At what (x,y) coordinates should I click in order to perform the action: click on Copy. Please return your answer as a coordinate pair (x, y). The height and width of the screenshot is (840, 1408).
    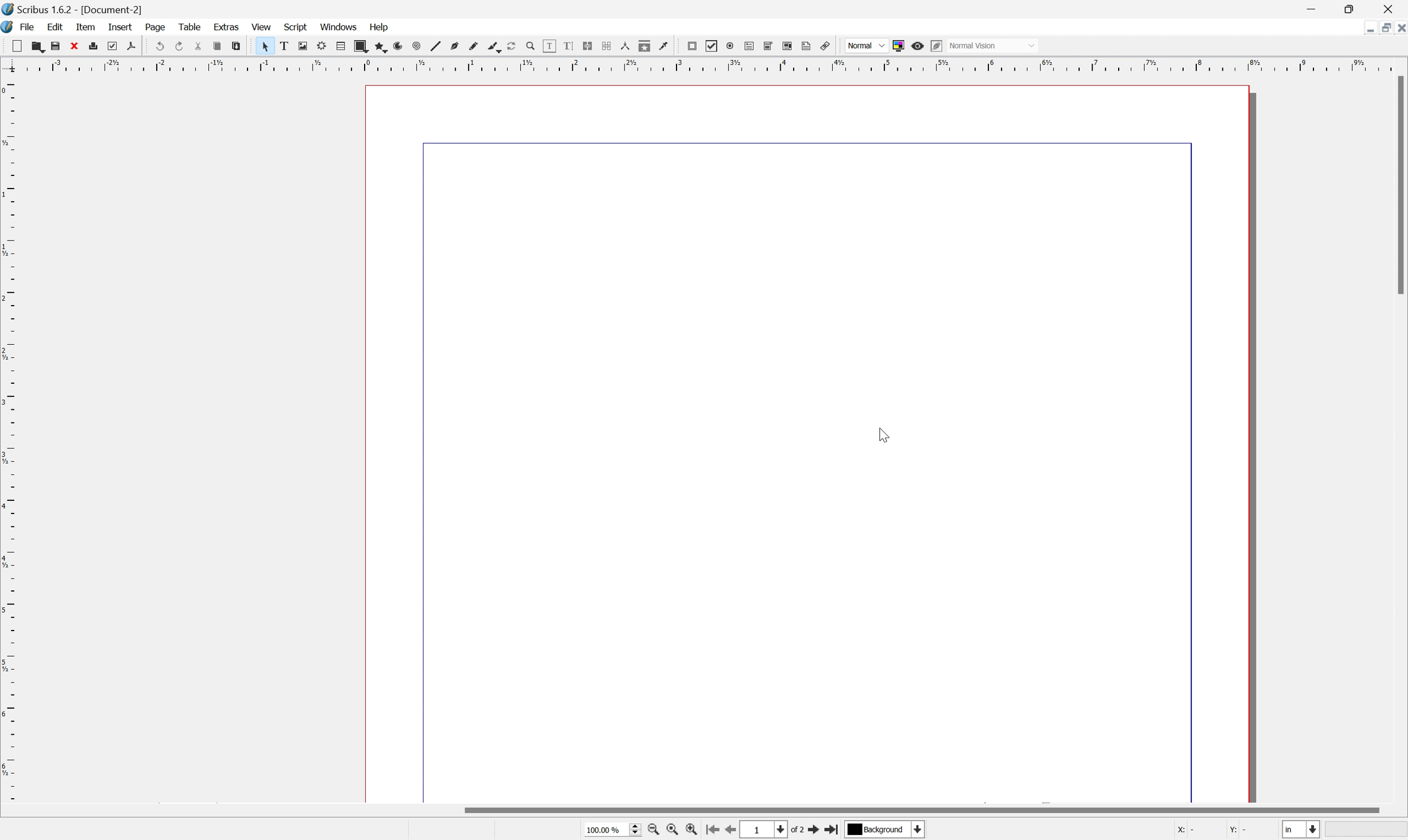
    Looking at the image, I should click on (220, 47).